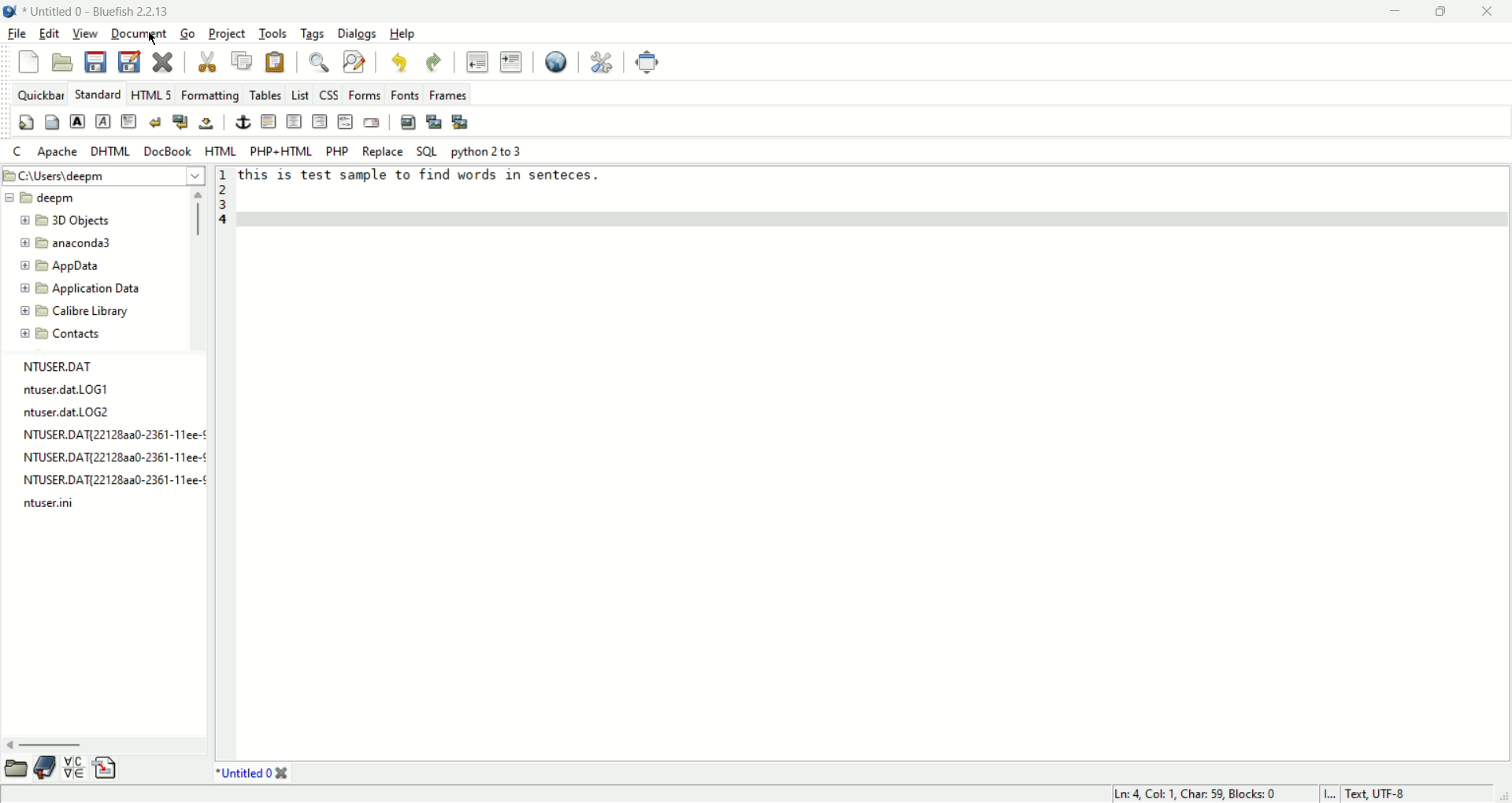  I want to click on snippets, so click(106, 769).